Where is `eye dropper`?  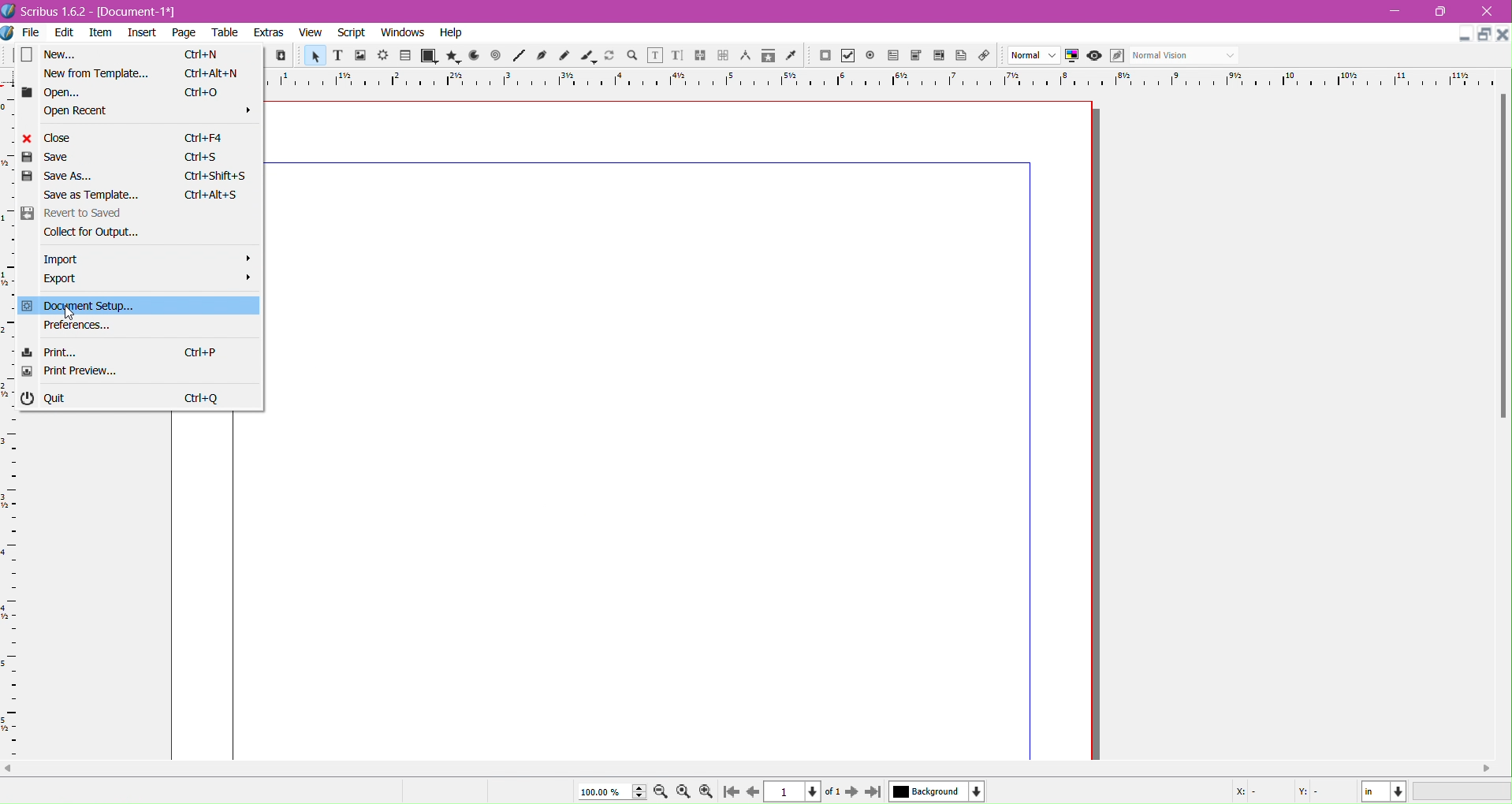
eye dropper is located at coordinates (795, 57).